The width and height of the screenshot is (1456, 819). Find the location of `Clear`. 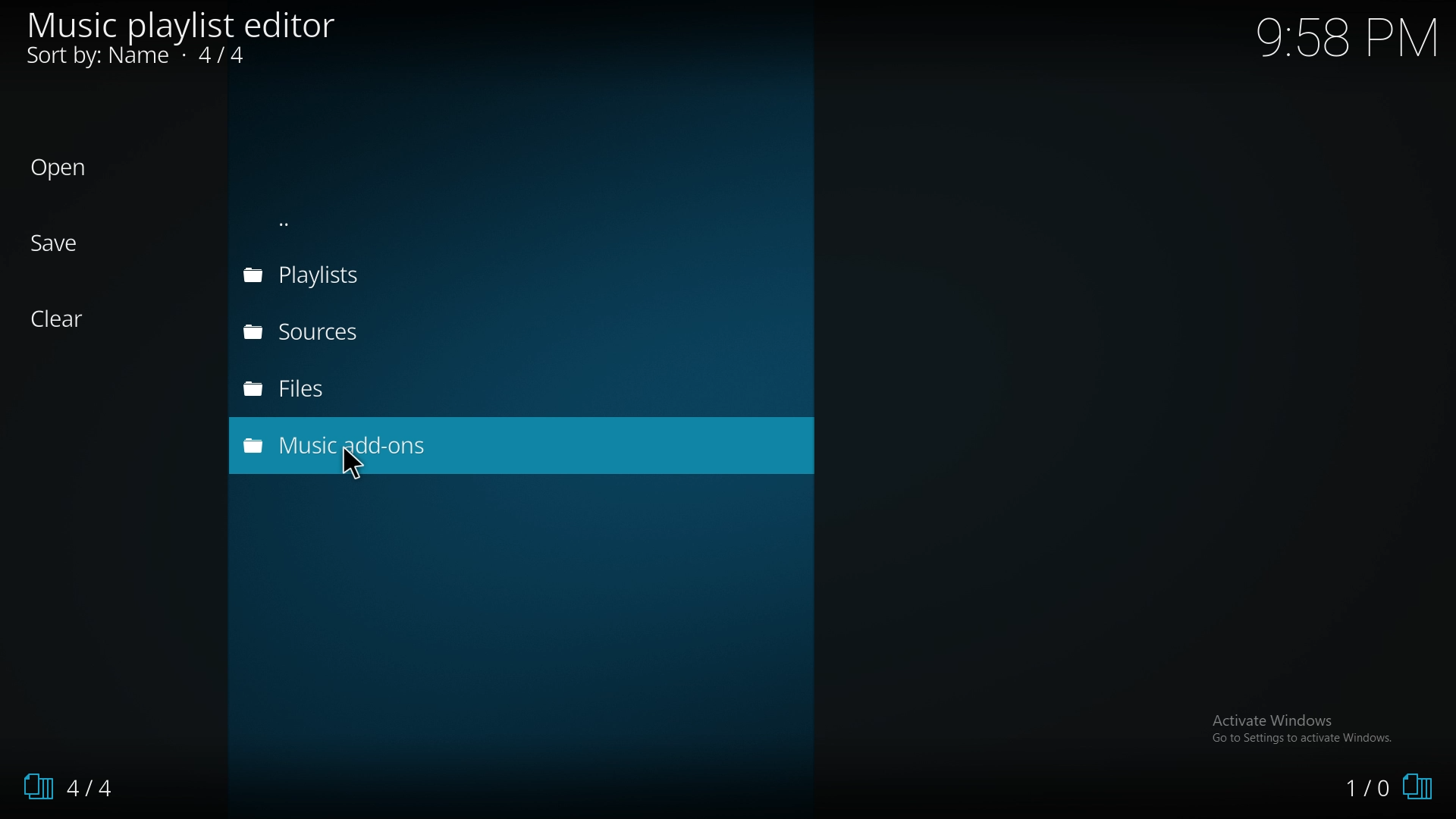

Clear is located at coordinates (59, 320).